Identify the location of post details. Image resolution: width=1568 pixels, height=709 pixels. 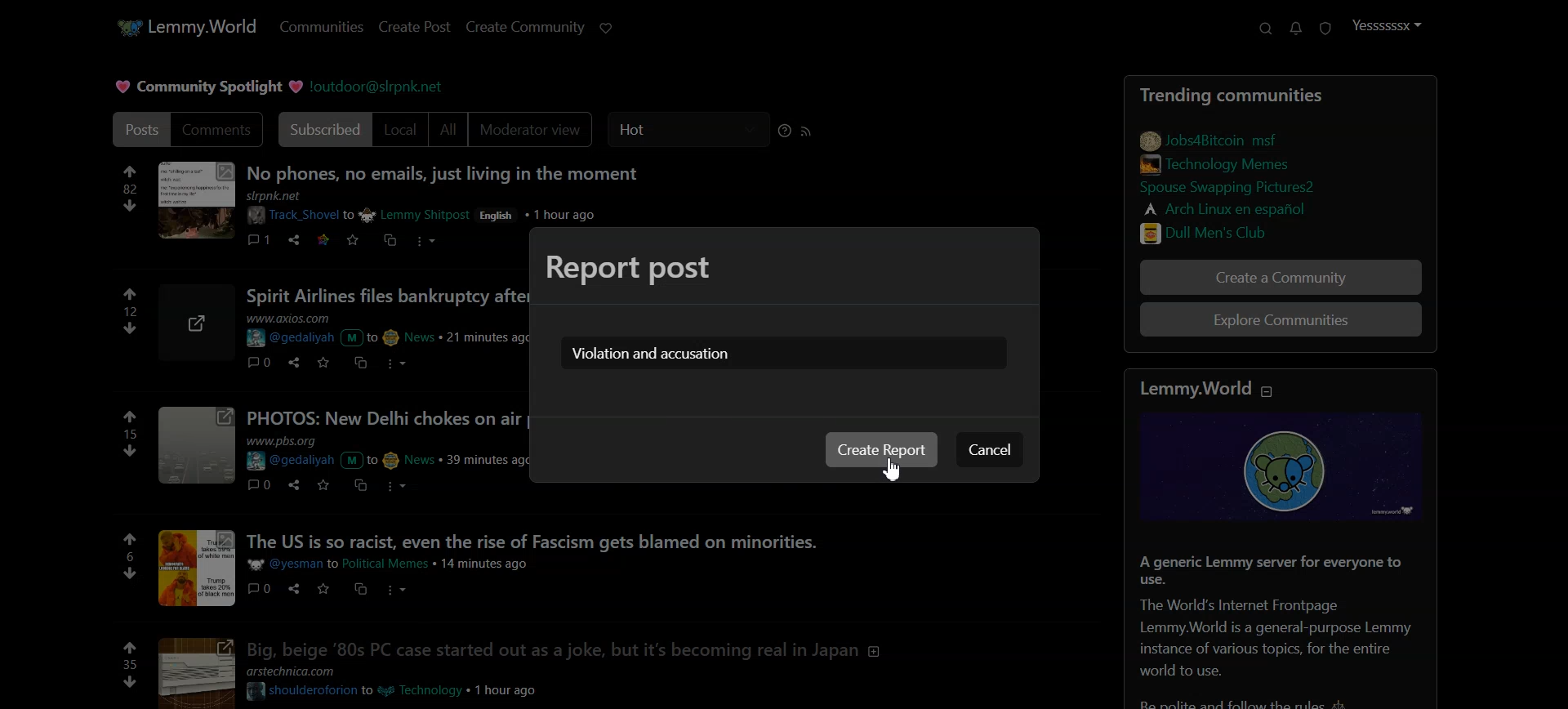
(385, 330).